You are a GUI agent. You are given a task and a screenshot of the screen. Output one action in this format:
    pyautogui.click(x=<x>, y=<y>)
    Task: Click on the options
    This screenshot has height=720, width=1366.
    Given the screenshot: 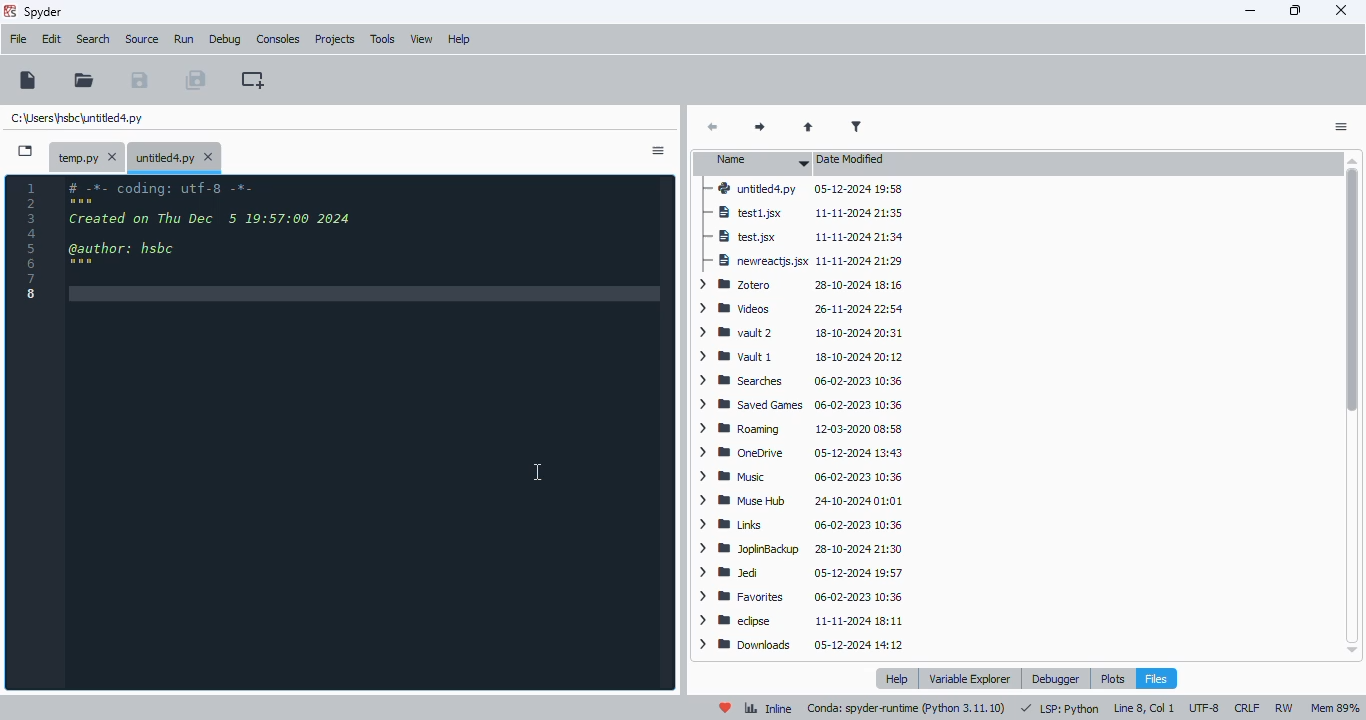 What is the action you would take?
    pyautogui.click(x=1341, y=127)
    